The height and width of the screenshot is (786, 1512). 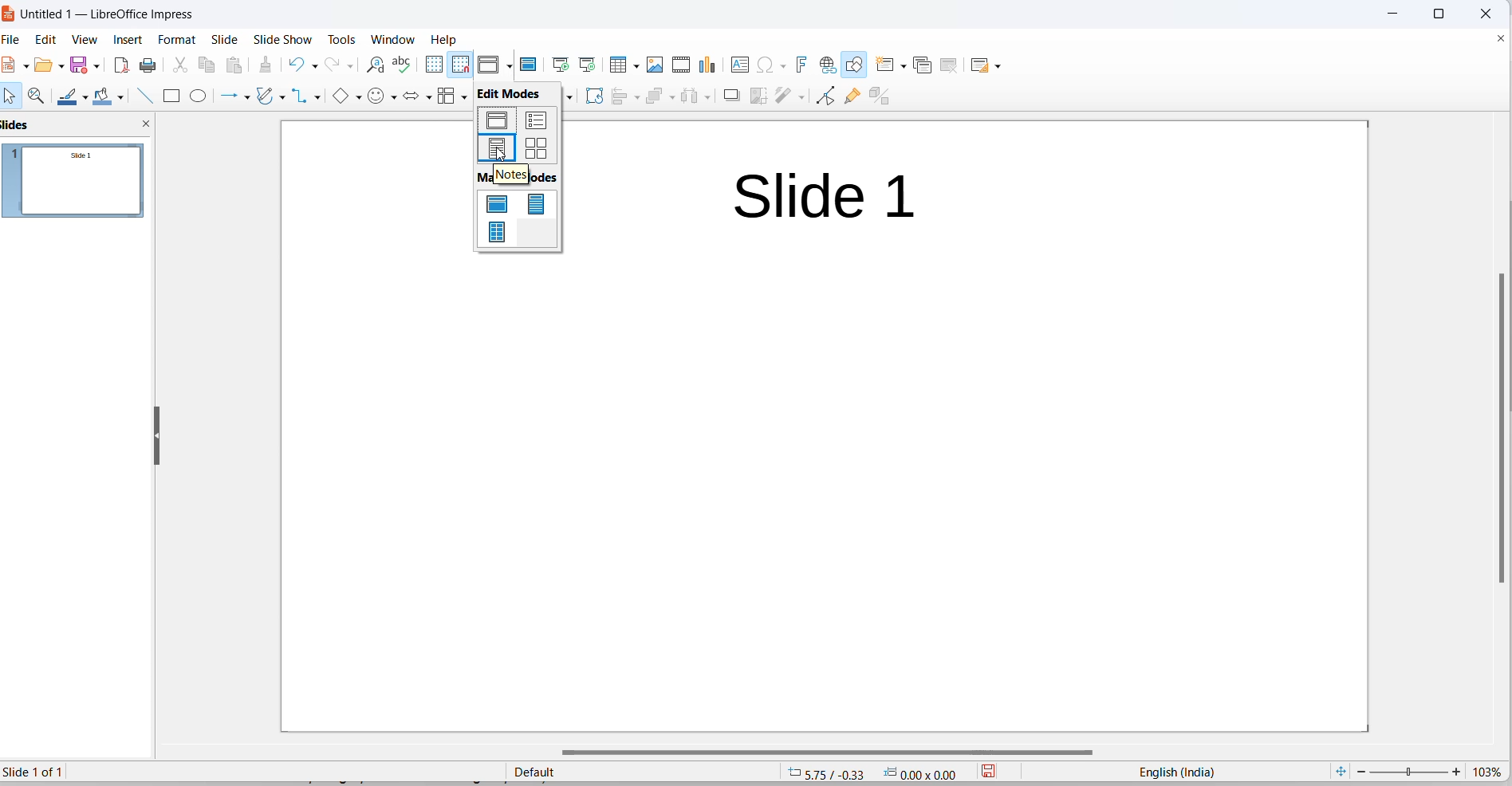 I want to click on increase zoom, so click(x=1458, y=773).